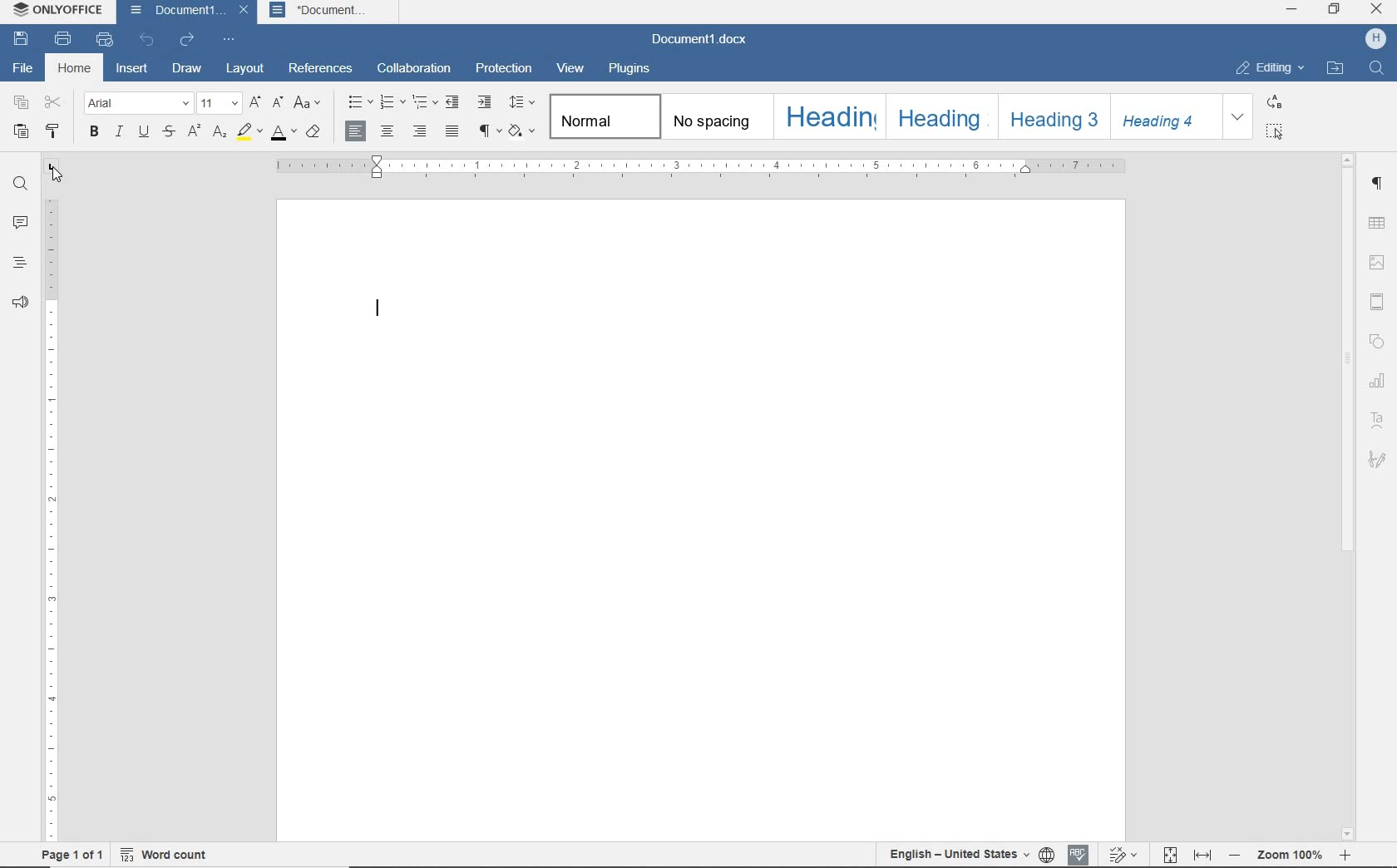 The height and width of the screenshot is (868, 1397). What do you see at coordinates (220, 132) in the screenshot?
I see `SUBSCRIPT` at bounding box center [220, 132].